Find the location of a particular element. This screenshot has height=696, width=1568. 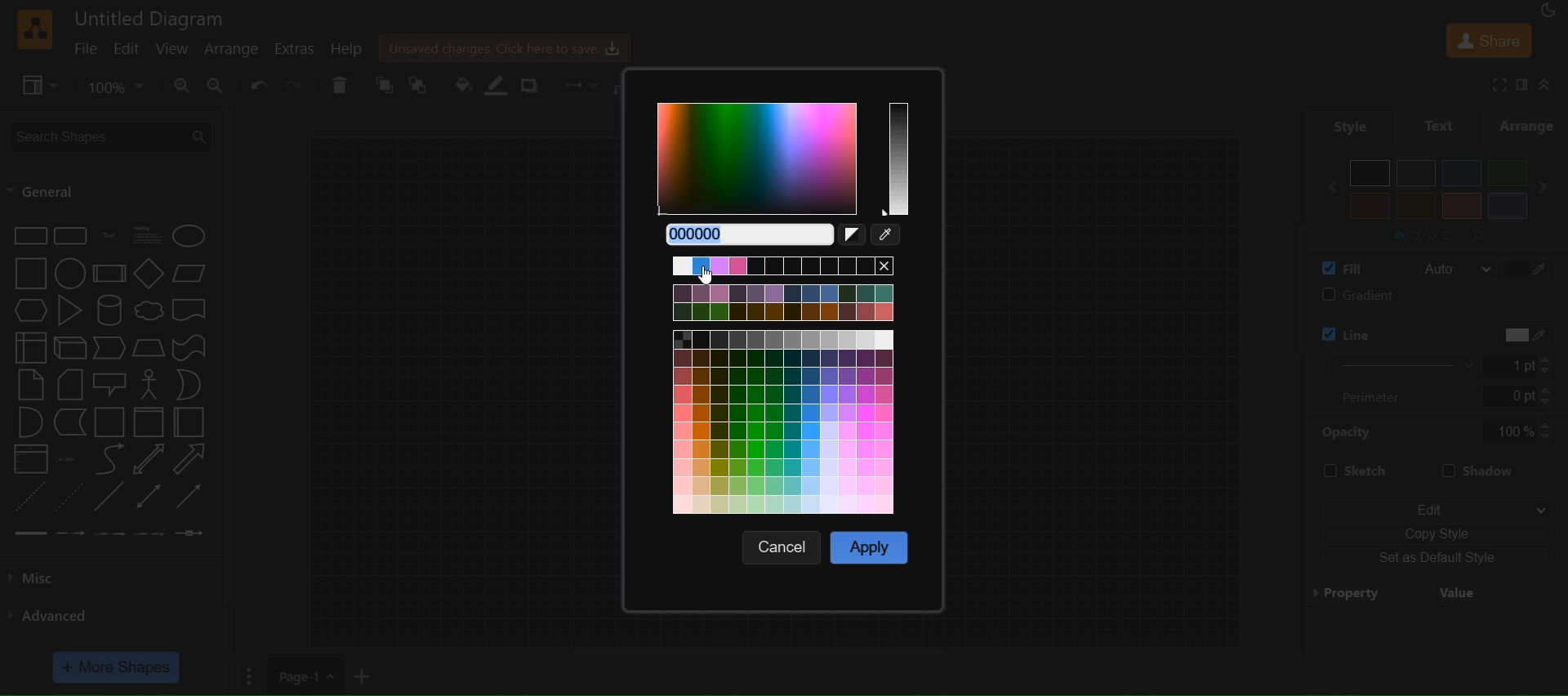

color is located at coordinates (1530, 267).